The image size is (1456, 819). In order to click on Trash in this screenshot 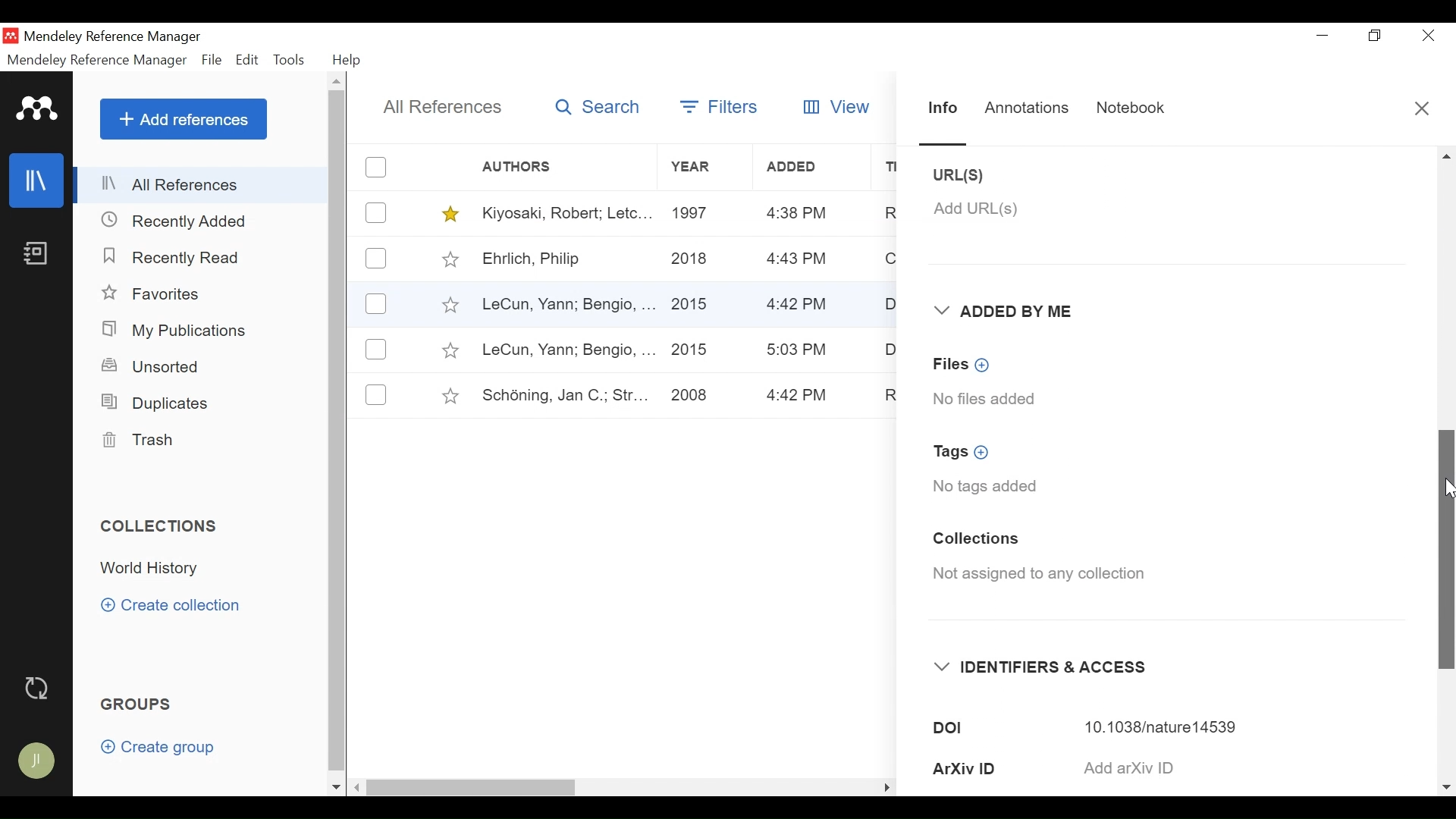, I will do `click(137, 441)`.